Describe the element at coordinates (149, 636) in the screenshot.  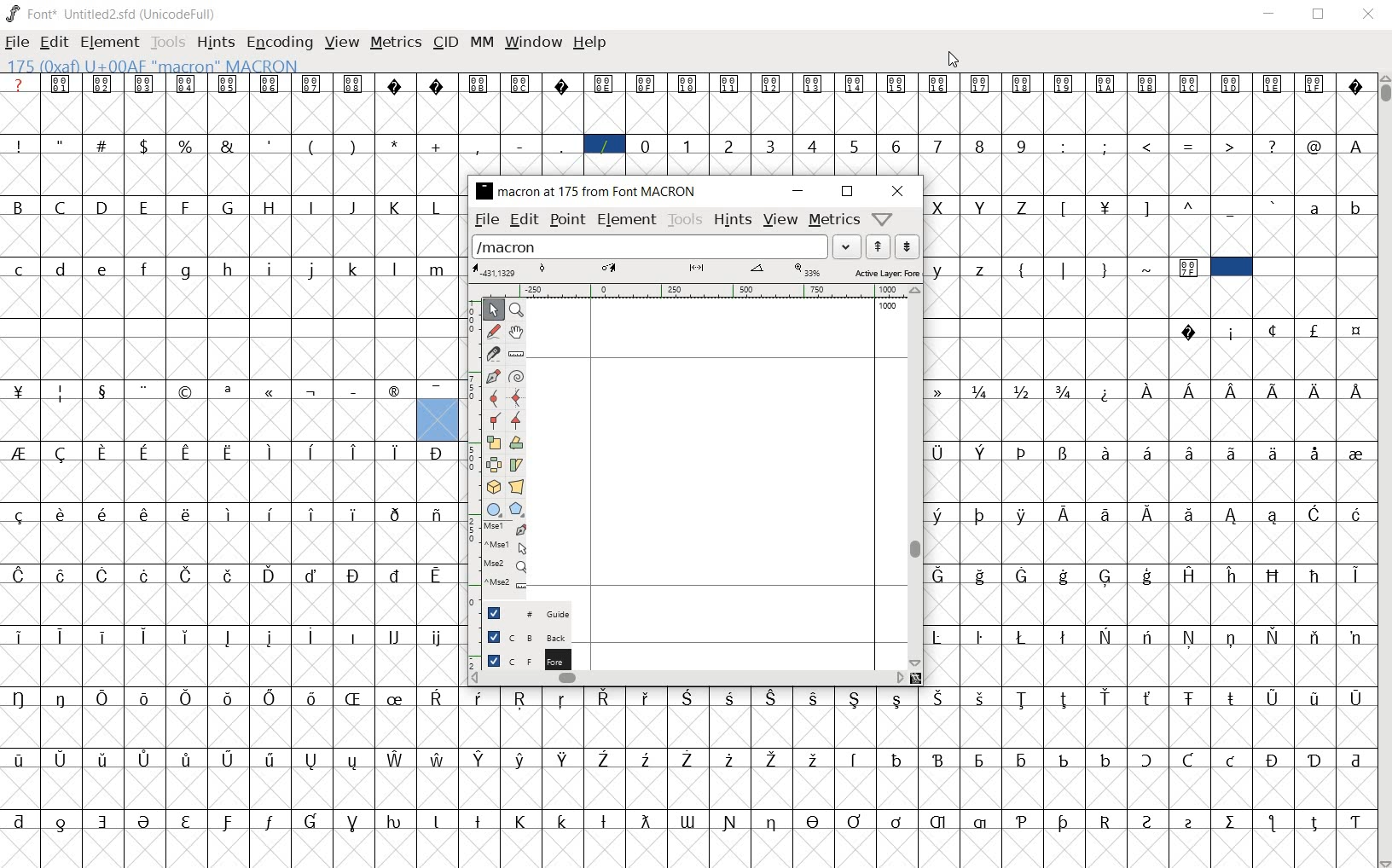
I see `Symbol` at that location.